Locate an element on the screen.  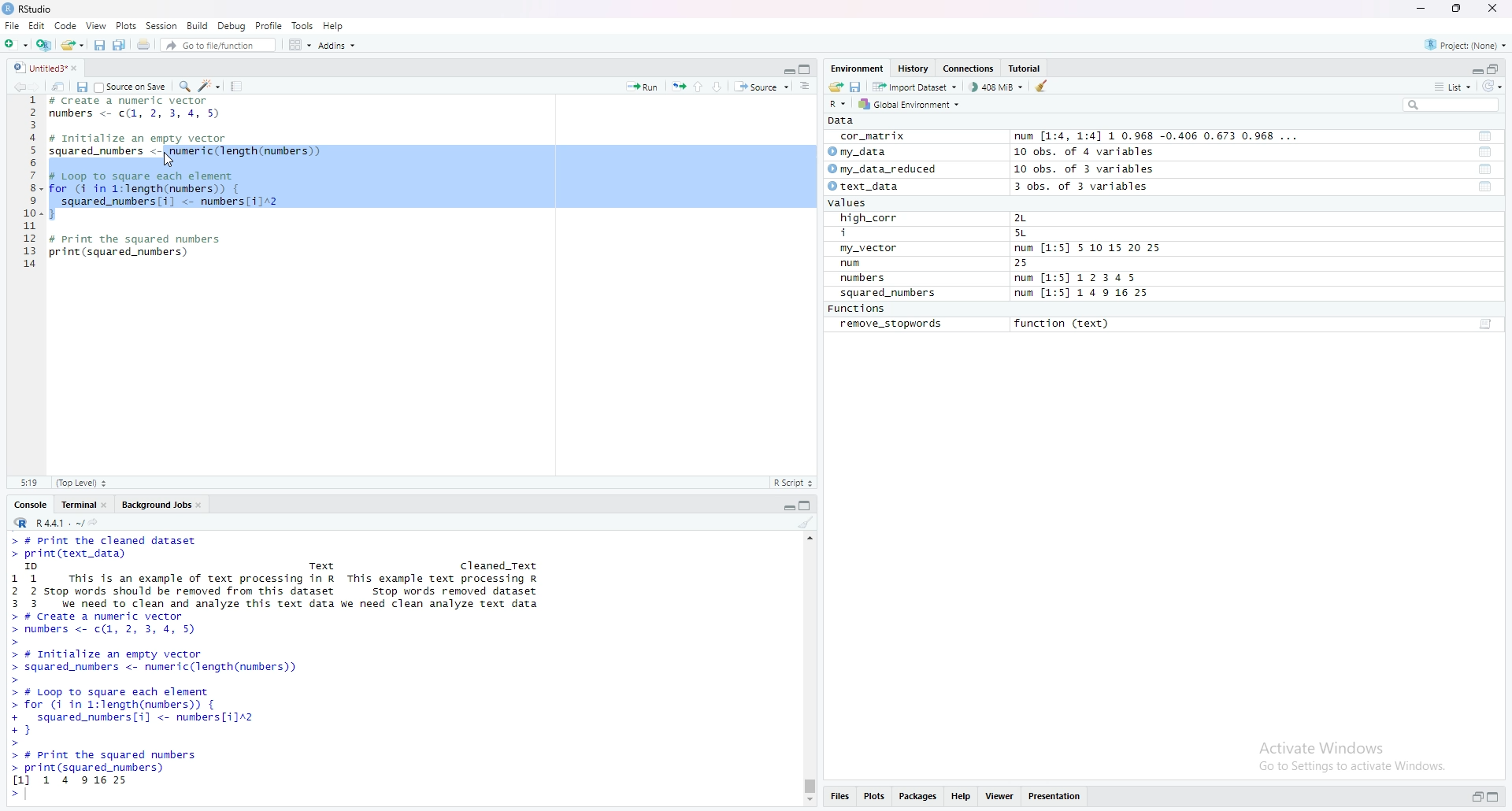
Connections is located at coordinates (970, 69).